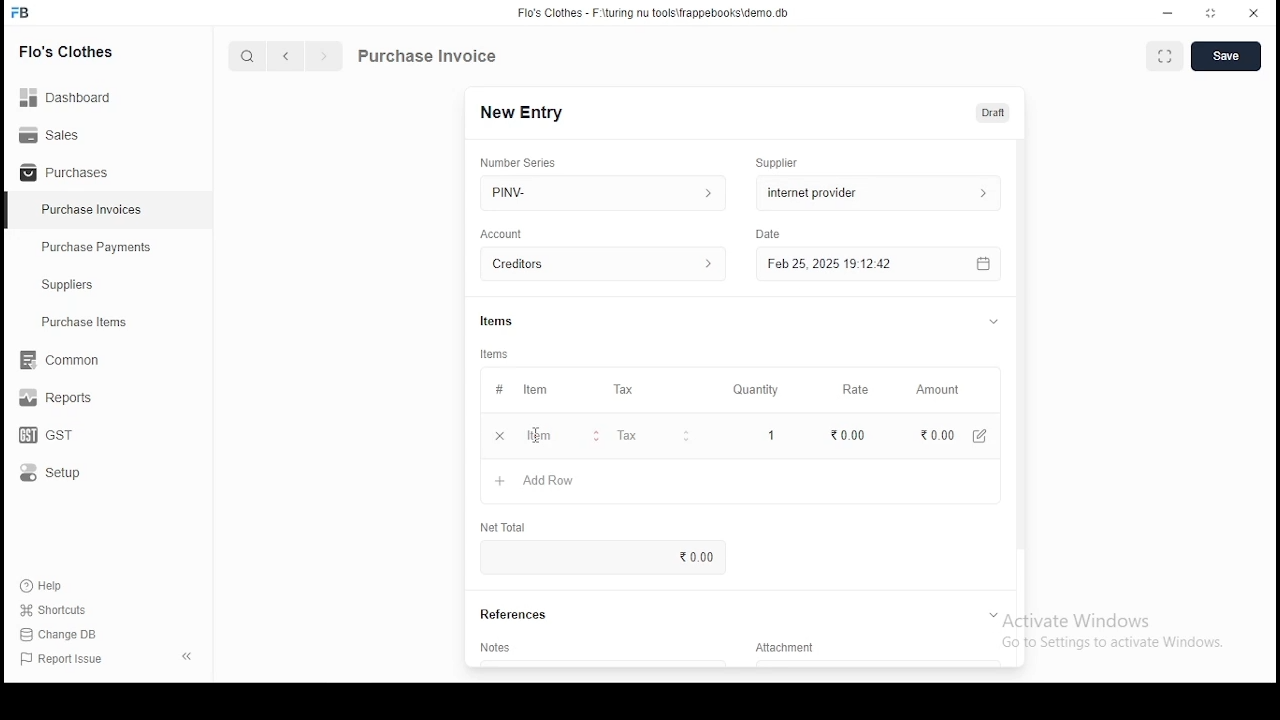 The width and height of the screenshot is (1280, 720). Describe the element at coordinates (75, 91) in the screenshot. I see `dashboard` at that location.